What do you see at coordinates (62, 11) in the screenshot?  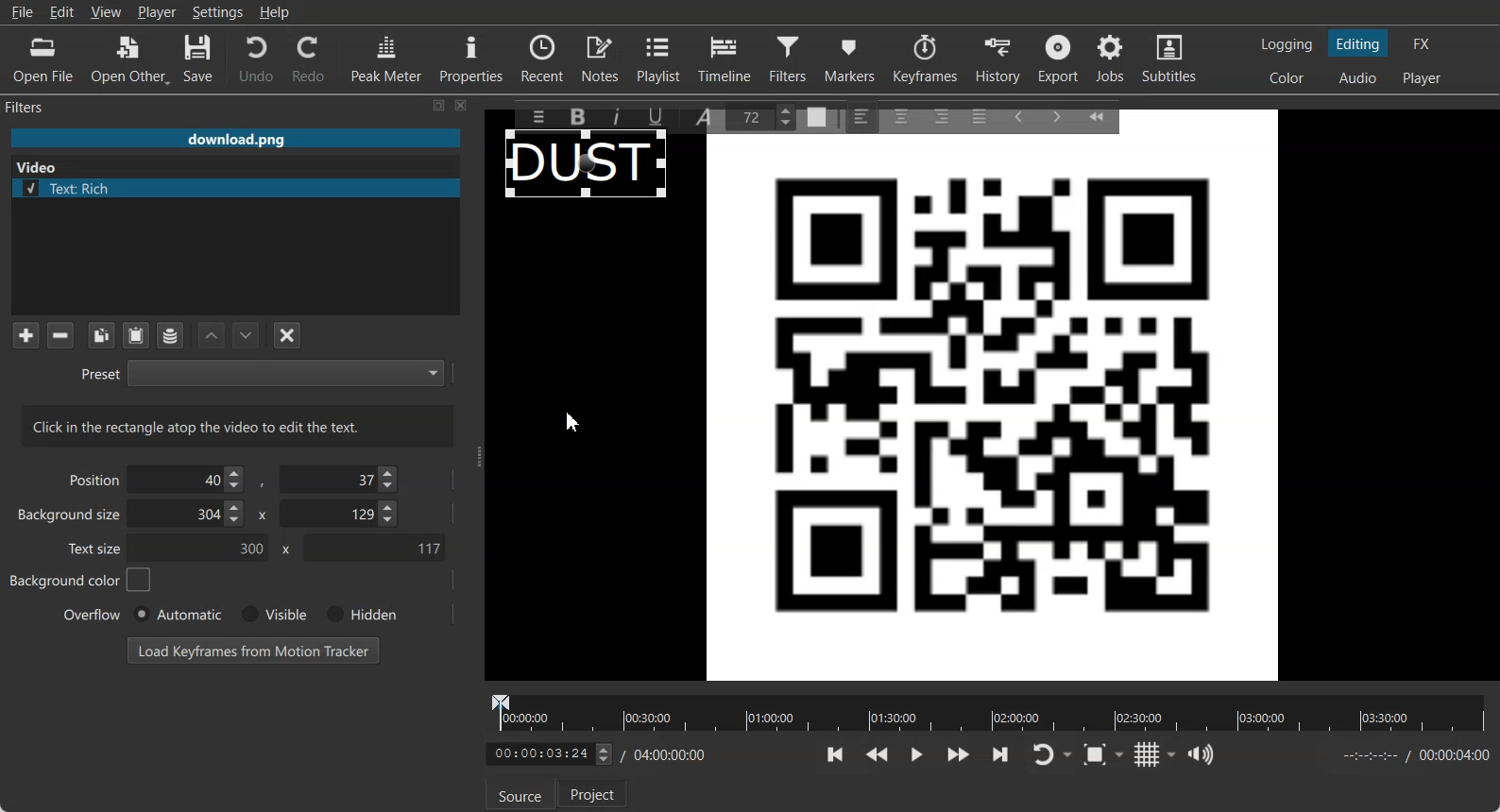 I see `Edit` at bounding box center [62, 11].